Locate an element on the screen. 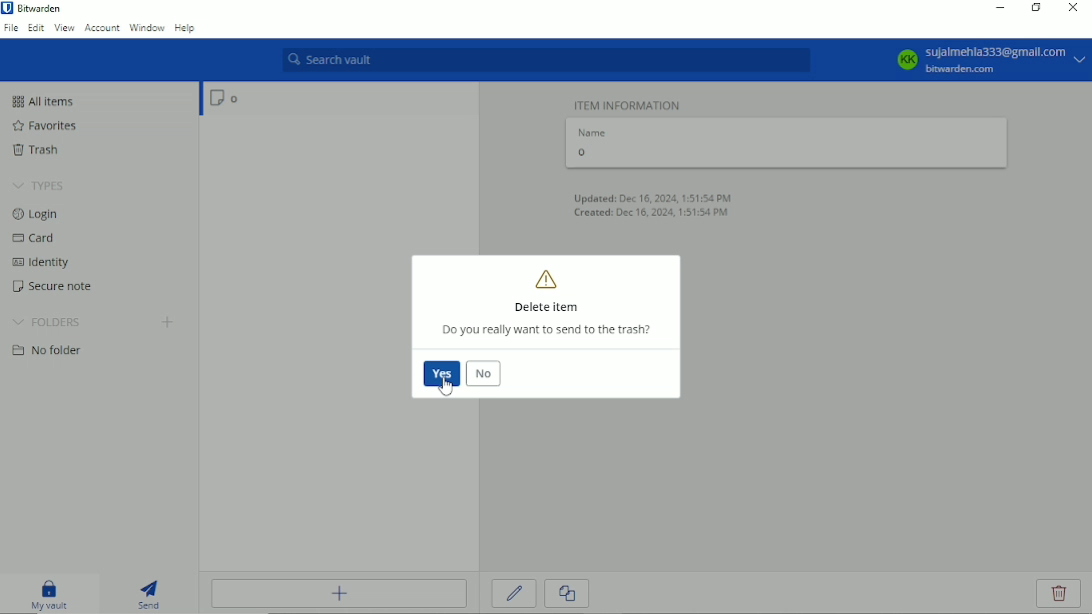 The height and width of the screenshot is (614, 1092). Updated: Dec 16, 2024, 1:51:54 PM is located at coordinates (654, 197).